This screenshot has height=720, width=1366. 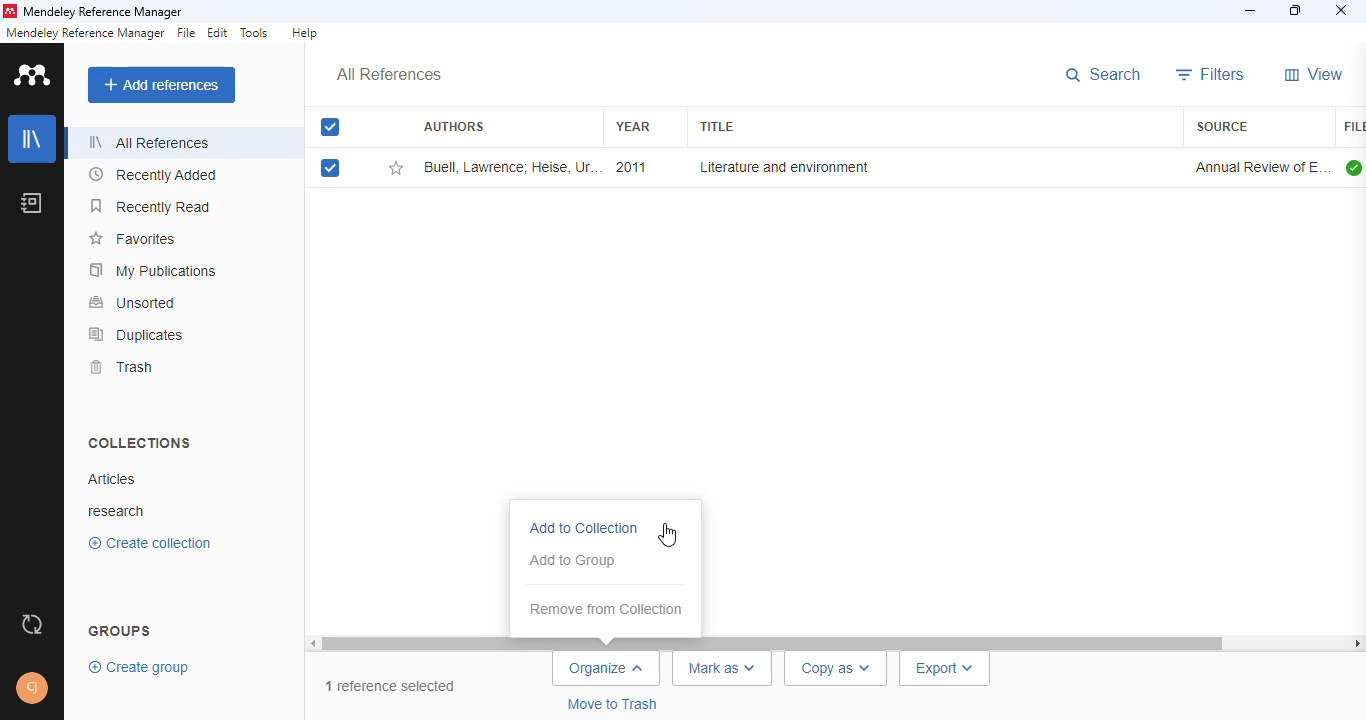 What do you see at coordinates (219, 32) in the screenshot?
I see `edit` at bounding box center [219, 32].